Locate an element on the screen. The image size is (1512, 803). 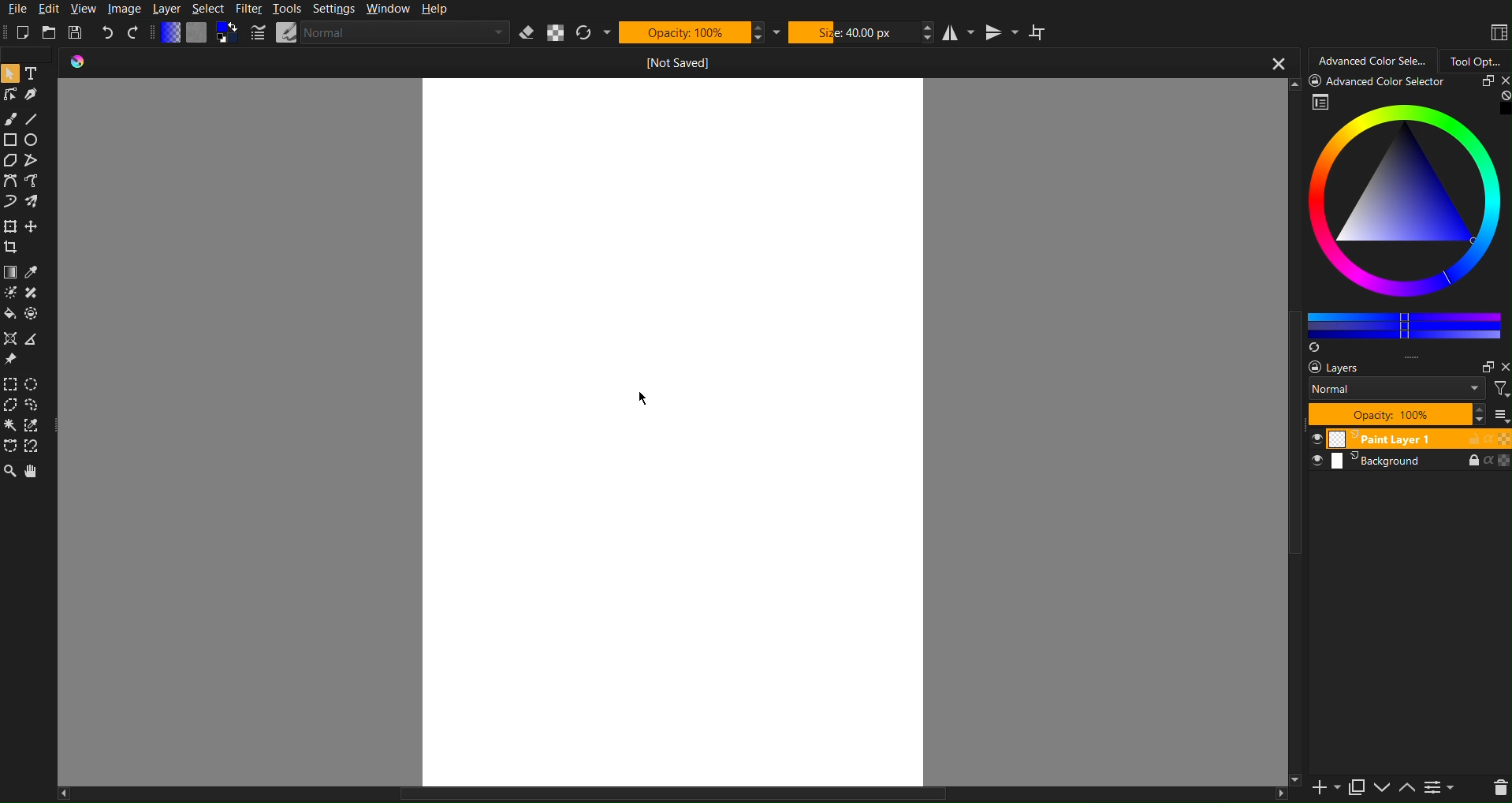
alpha is located at coordinates (1485, 461).